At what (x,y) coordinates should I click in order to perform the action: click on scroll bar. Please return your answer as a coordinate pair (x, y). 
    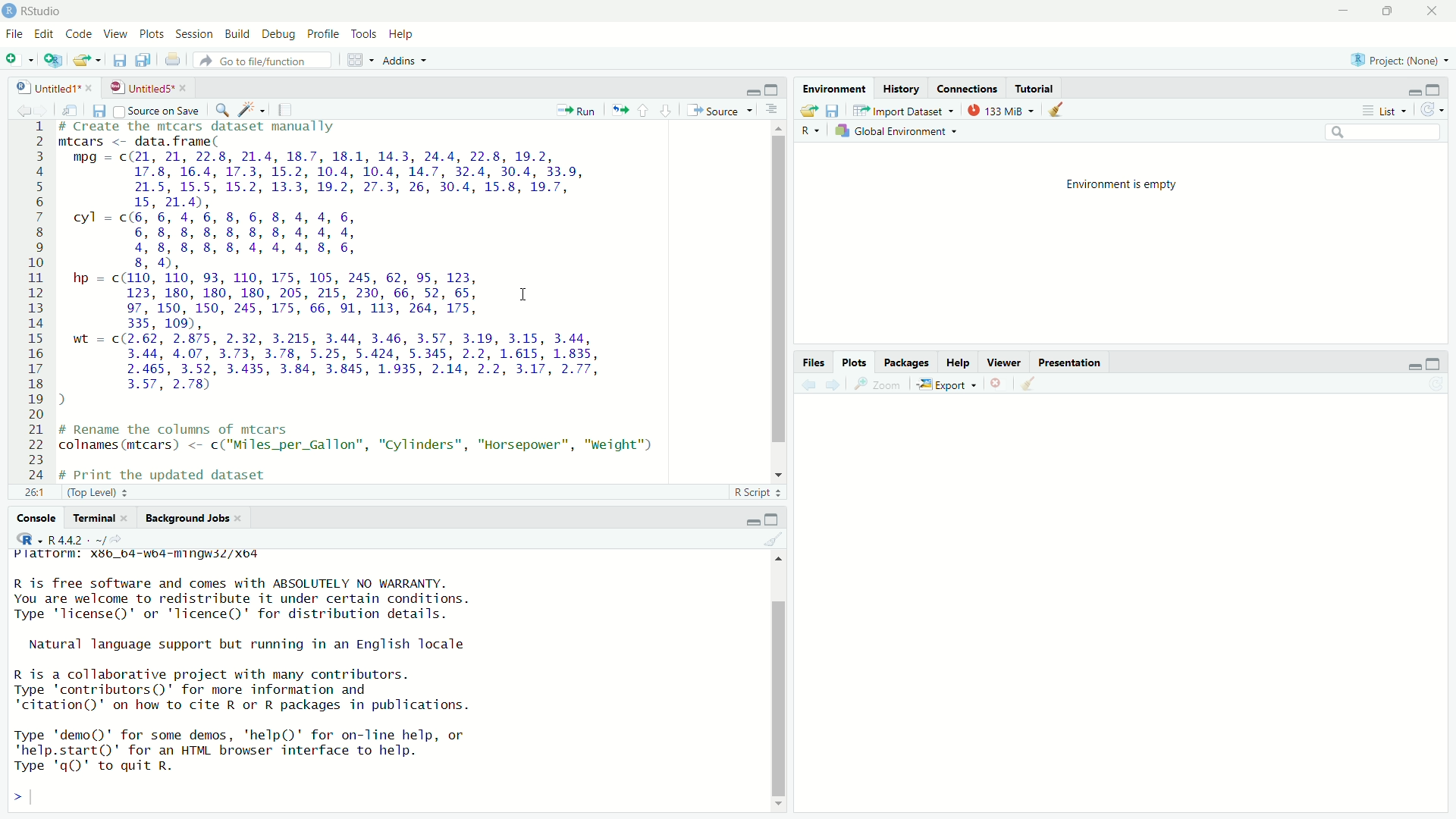
    Looking at the image, I should click on (770, 300).